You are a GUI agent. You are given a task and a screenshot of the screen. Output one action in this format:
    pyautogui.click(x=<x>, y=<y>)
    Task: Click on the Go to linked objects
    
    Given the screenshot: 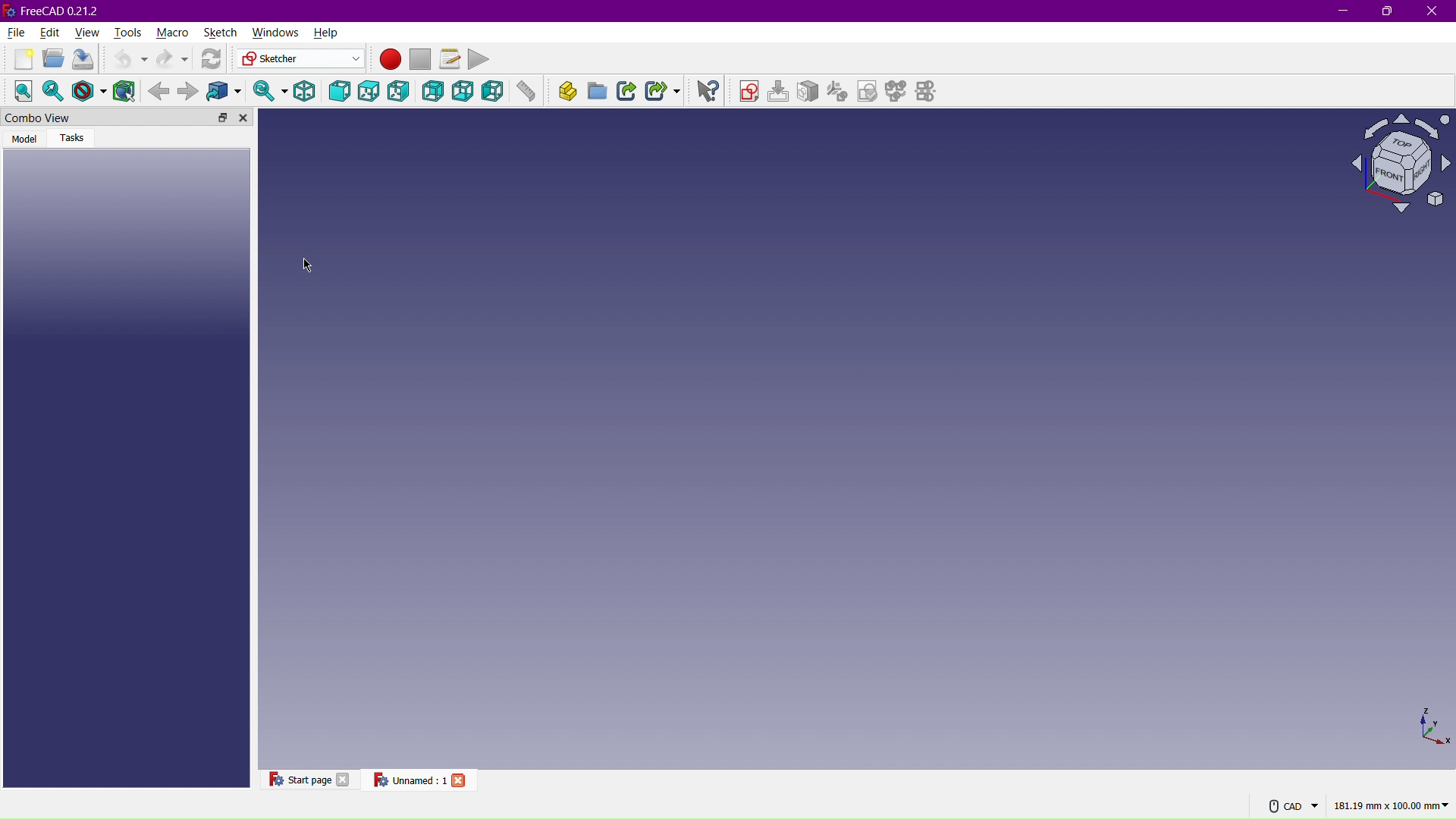 What is the action you would take?
    pyautogui.click(x=224, y=89)
    